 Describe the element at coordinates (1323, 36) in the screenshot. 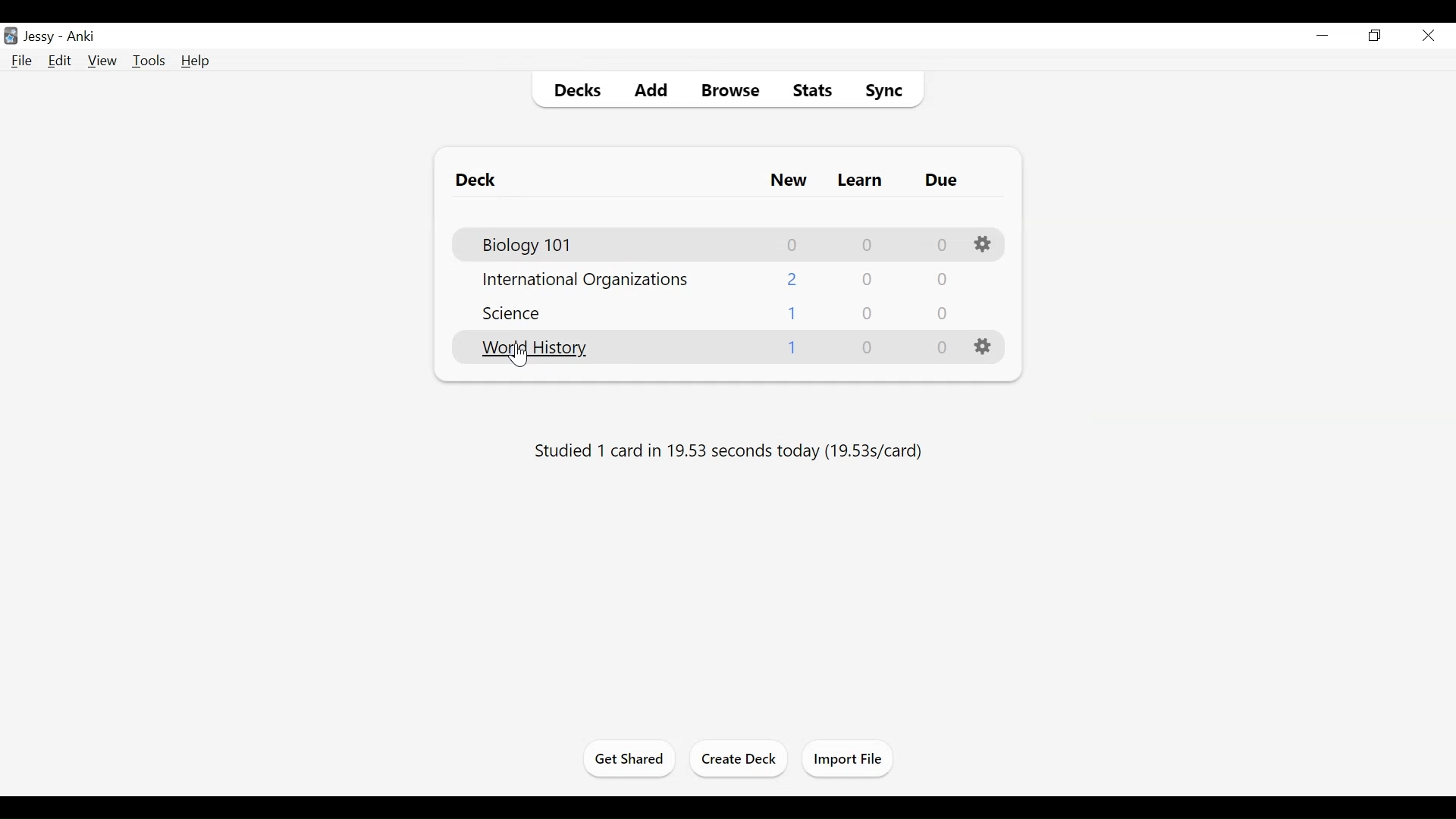

I see `minimize` at that location.